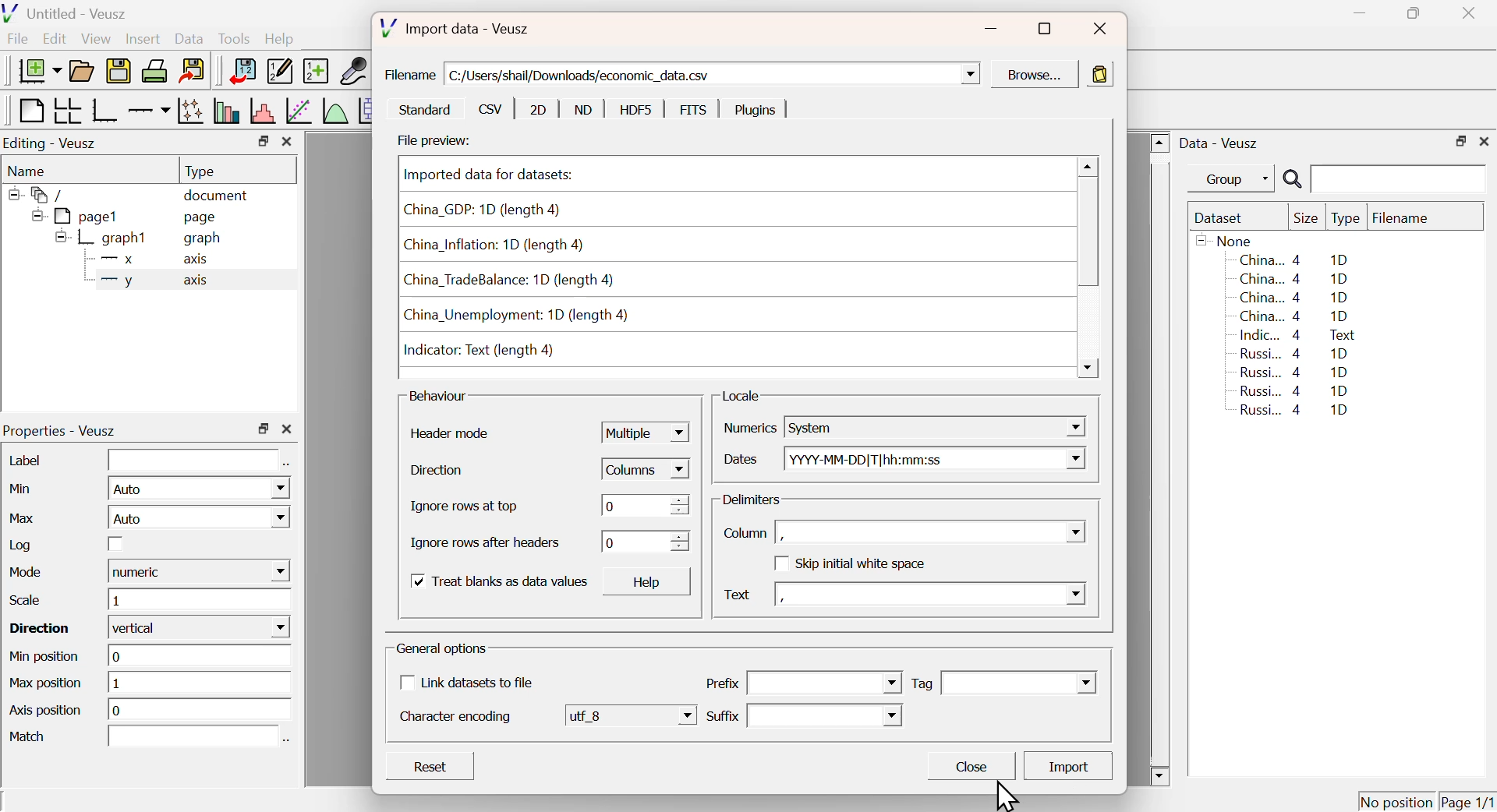 The image size is (1497, 812). I want to click on Minimize, so click(1360, 14).